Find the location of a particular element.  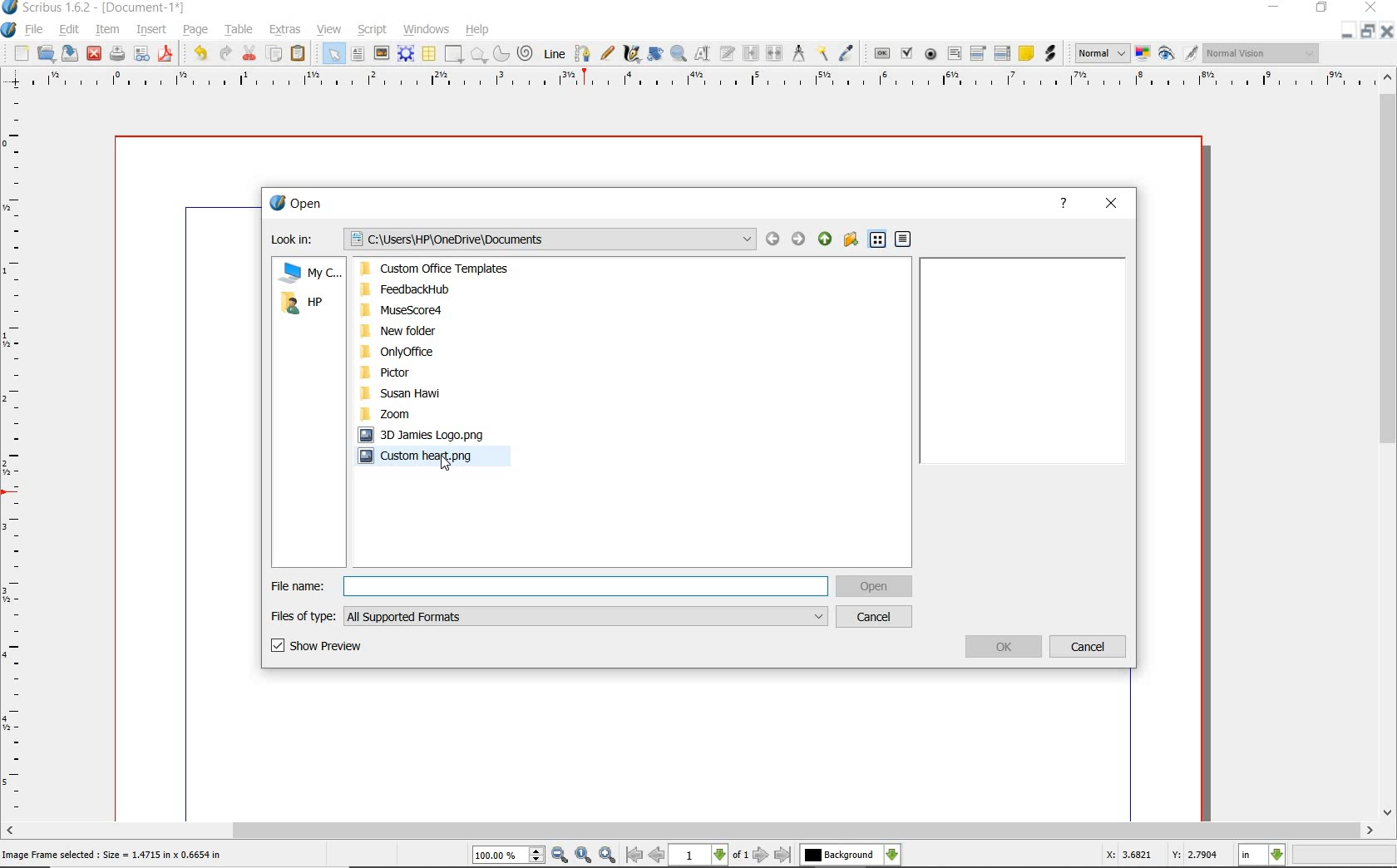

X: 3.6821 Y: 2.7904 is located at coordinates (1161, 856).